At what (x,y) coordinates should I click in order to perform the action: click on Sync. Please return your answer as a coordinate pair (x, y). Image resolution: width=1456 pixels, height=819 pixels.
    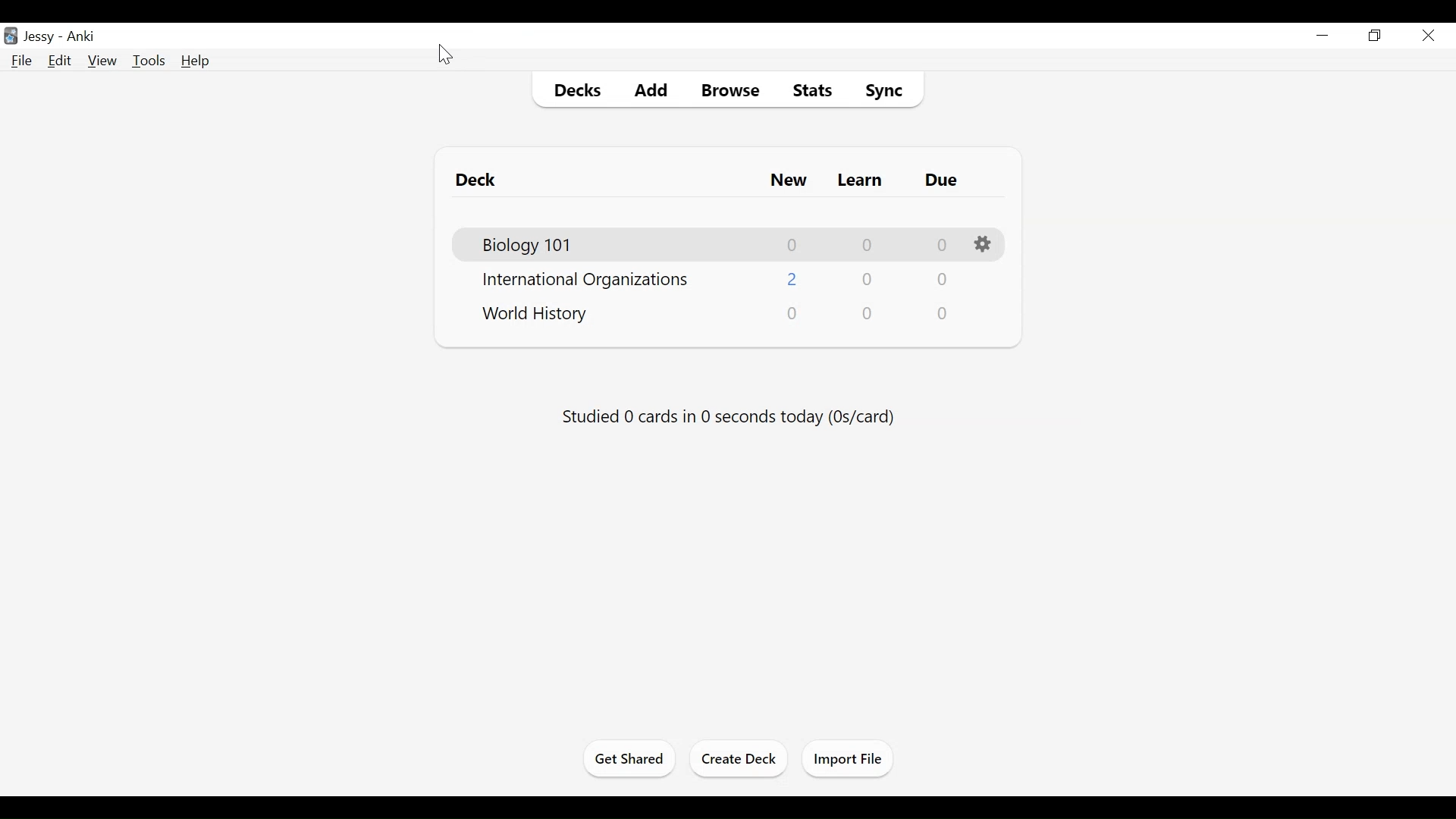
    Looking at the image, I should click on (881, 88).